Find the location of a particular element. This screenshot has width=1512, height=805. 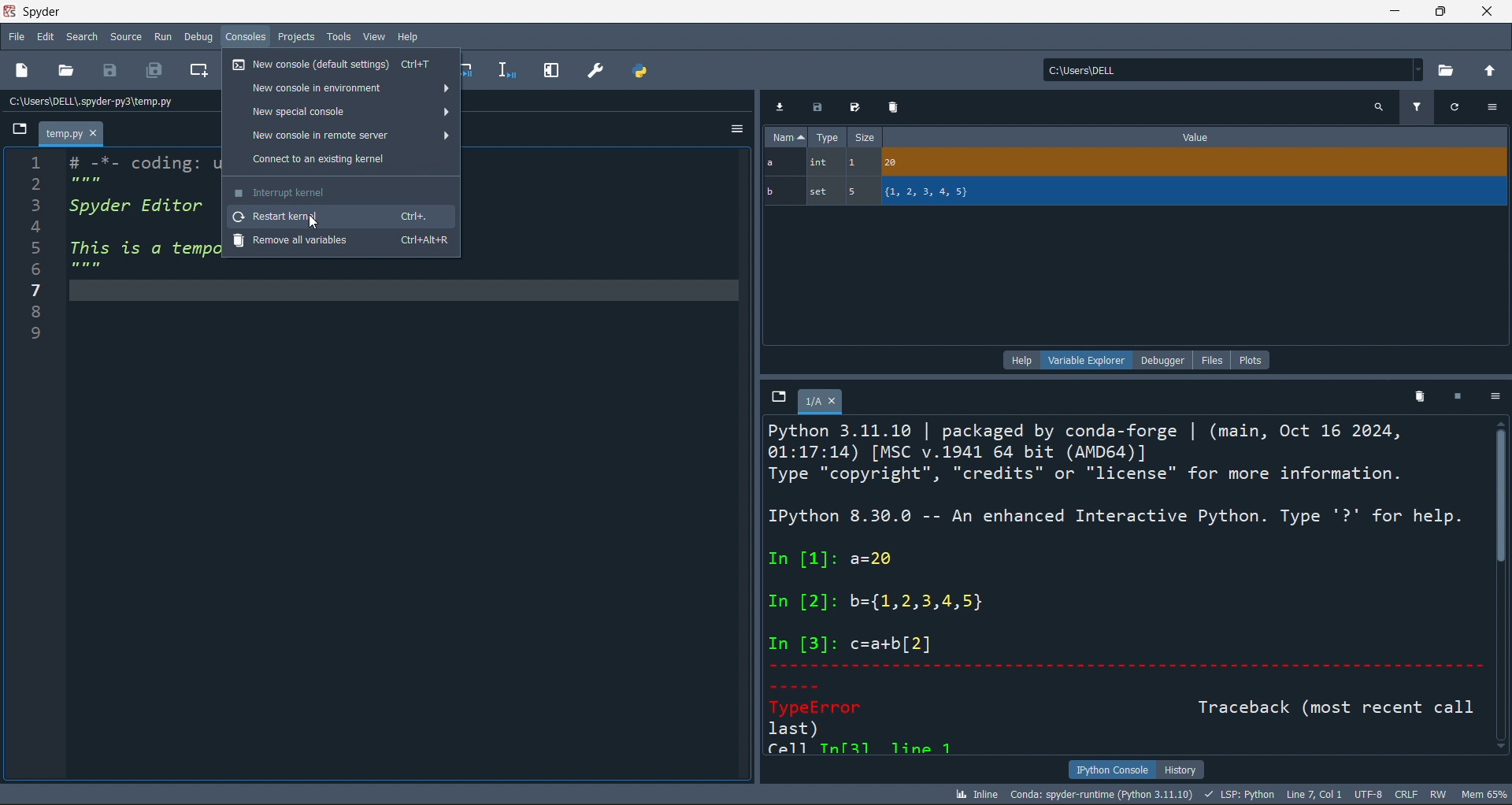

1/A  is located at coordinates (821, 403).